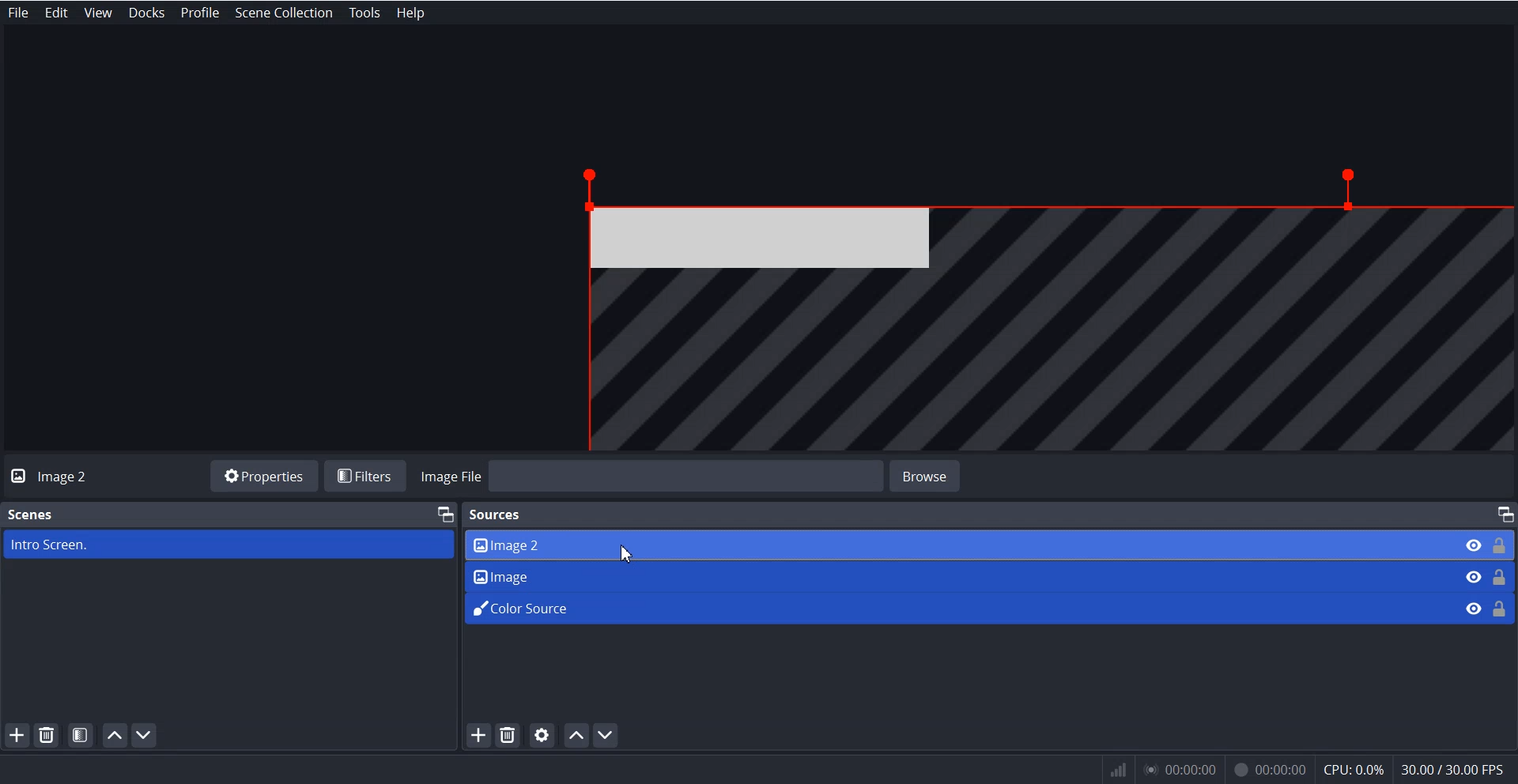 The height and width of the screenshot is (784, 1518). I want to click on Image File Browse, so click(652, 476).